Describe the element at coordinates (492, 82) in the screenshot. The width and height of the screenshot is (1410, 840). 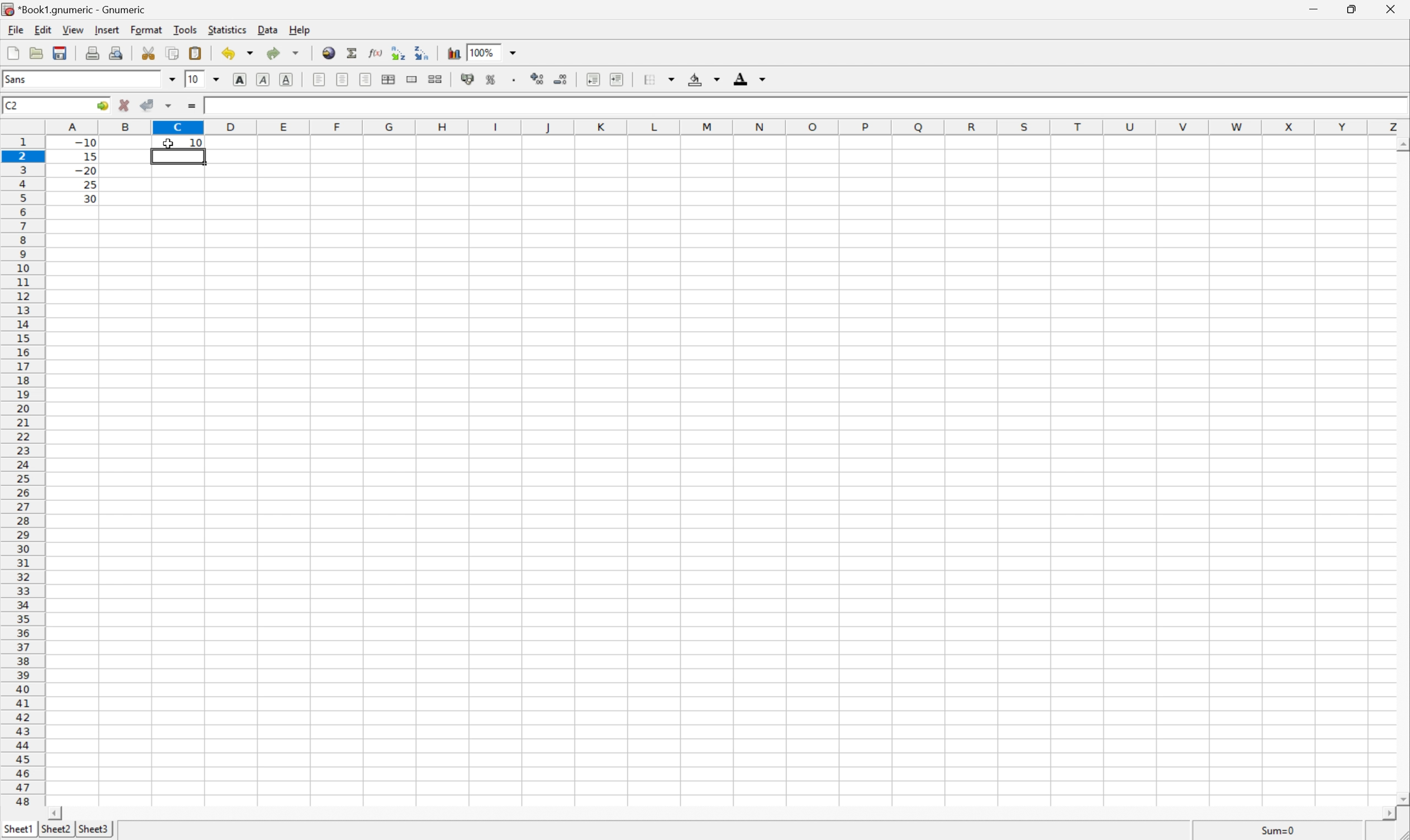
I see `Format the selection as percentage` at that location.